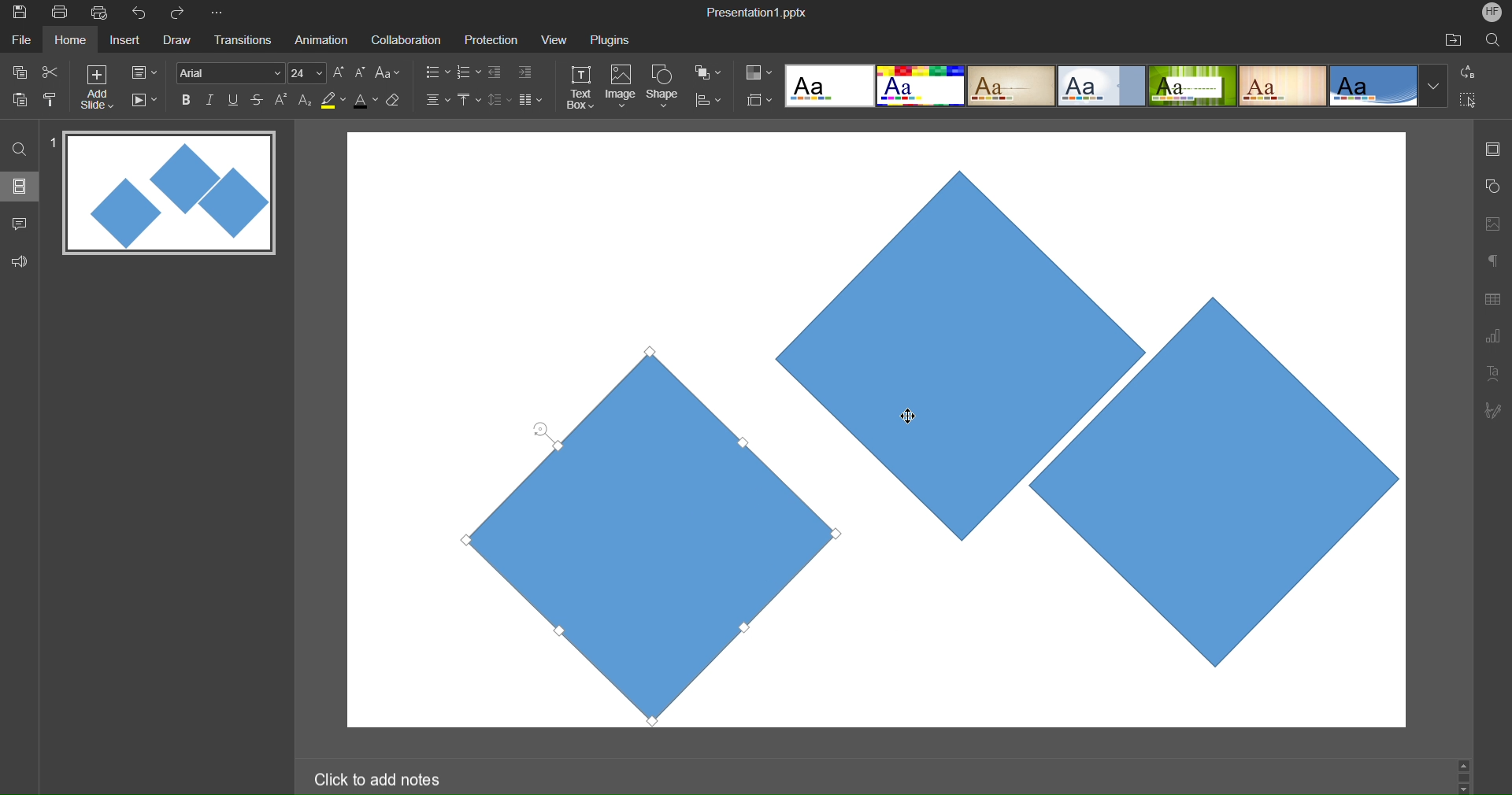 The image size is (1512, 795). Describe the element at coordinates (759, 72) in the screenshot. I see `Color` at that location.